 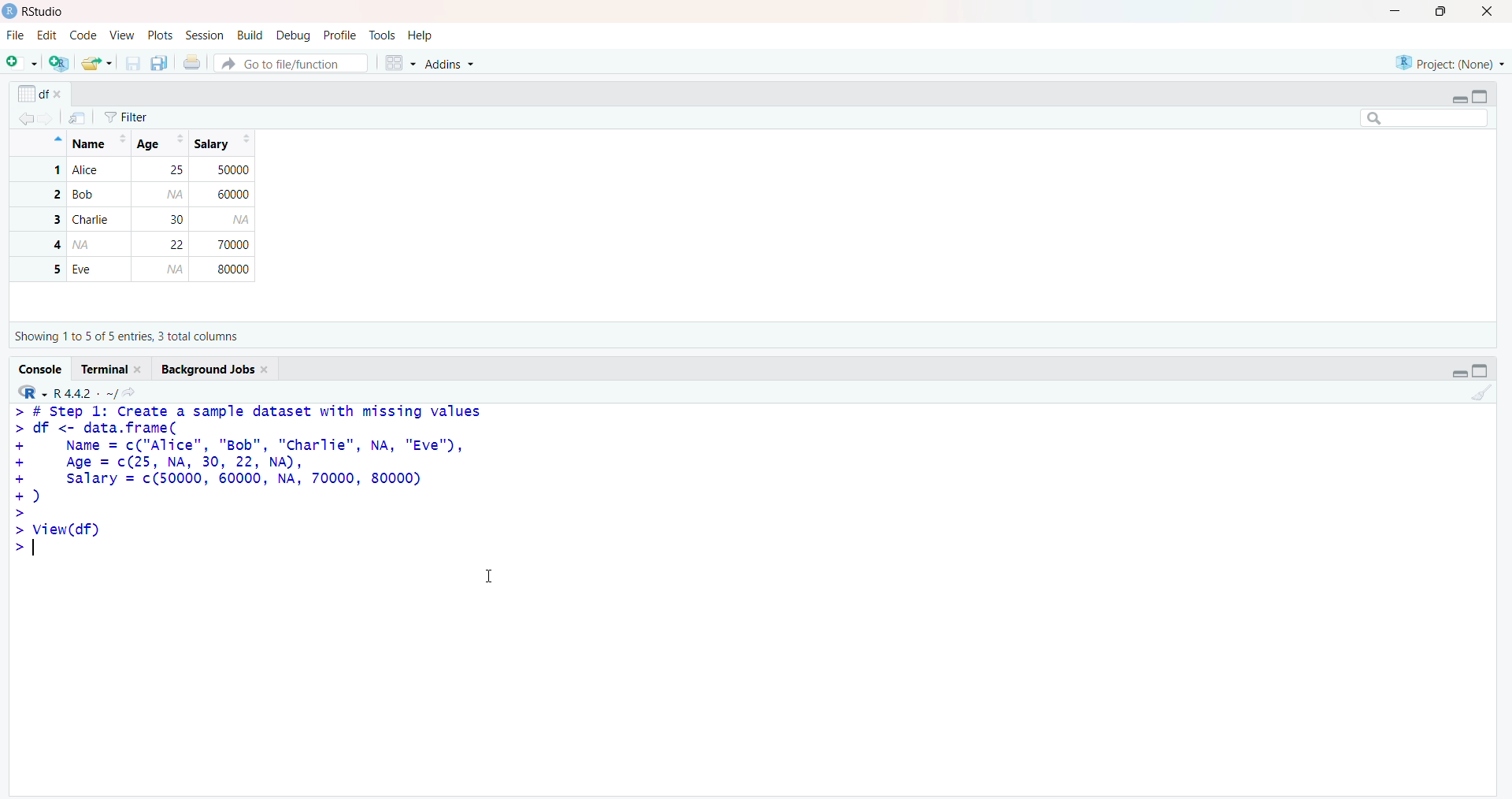 I want to click on Name, so click(x=95, y=141).